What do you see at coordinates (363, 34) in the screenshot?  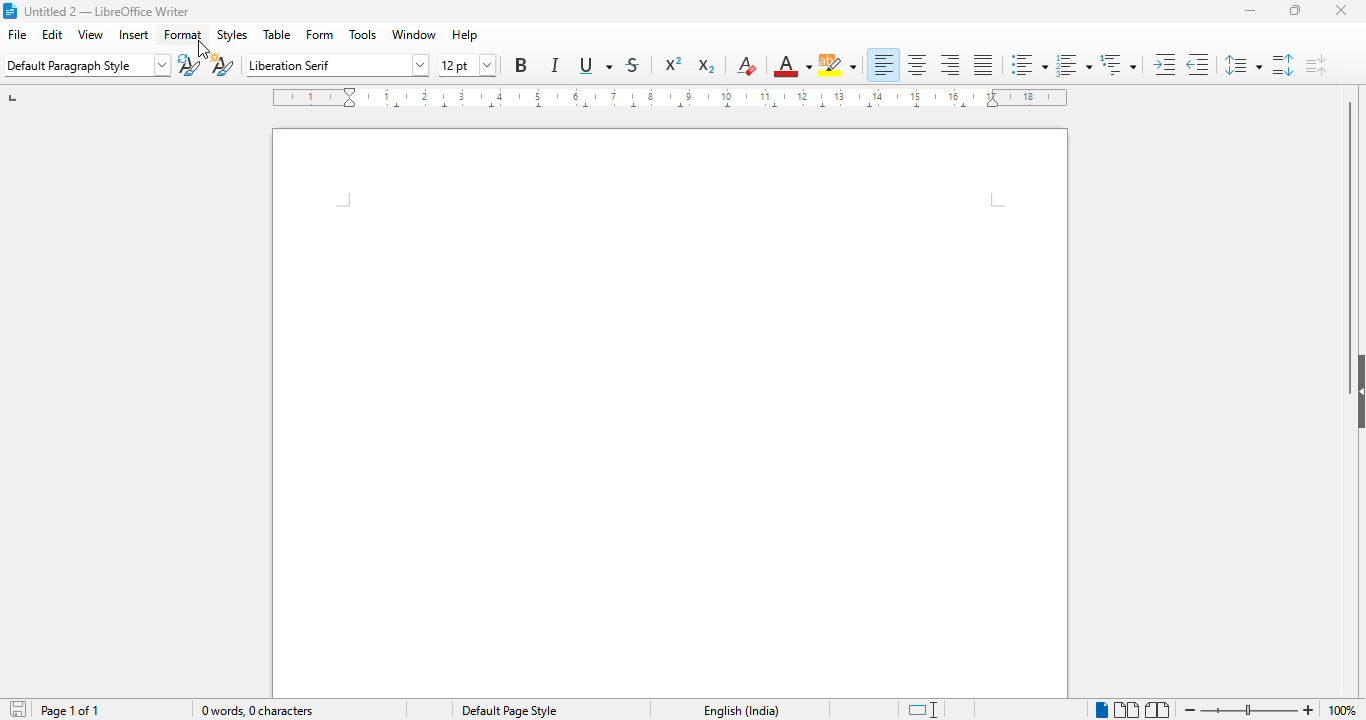 I see `tools` at bounding box center [363, 34].